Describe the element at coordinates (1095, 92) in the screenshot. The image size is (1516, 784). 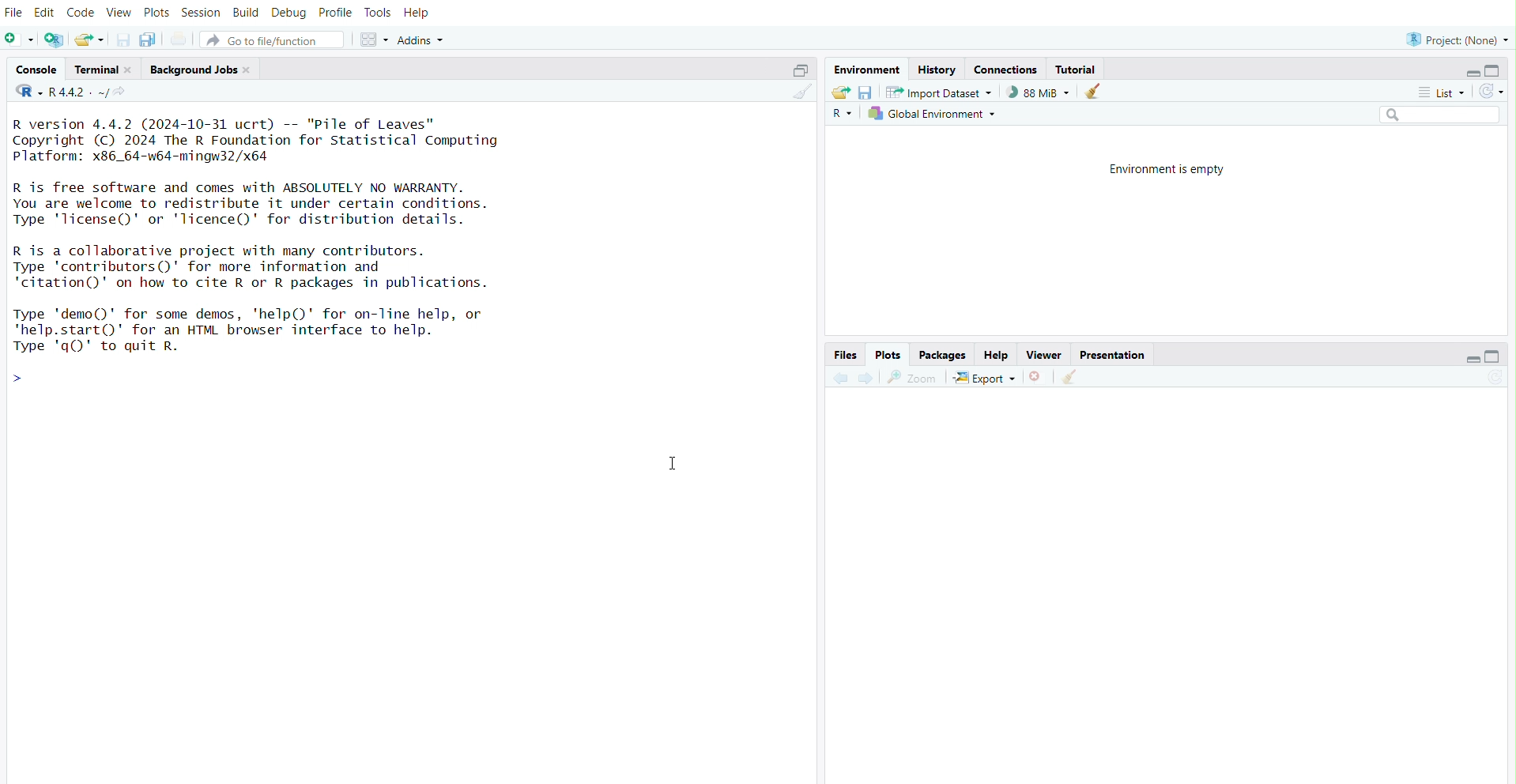
I see `clear objects from the workspace` at that location.